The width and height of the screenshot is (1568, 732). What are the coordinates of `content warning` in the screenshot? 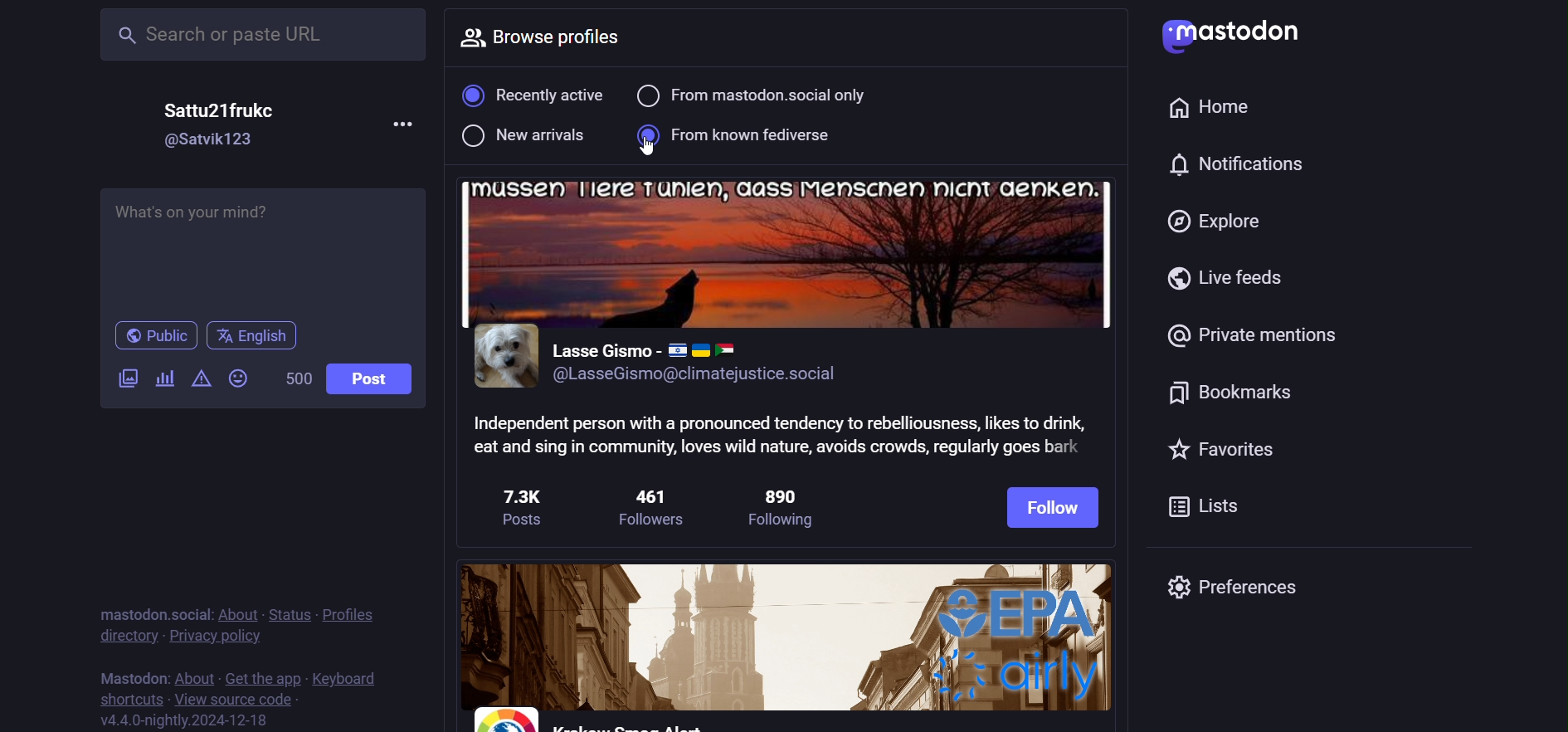 It's located at (200, 376).